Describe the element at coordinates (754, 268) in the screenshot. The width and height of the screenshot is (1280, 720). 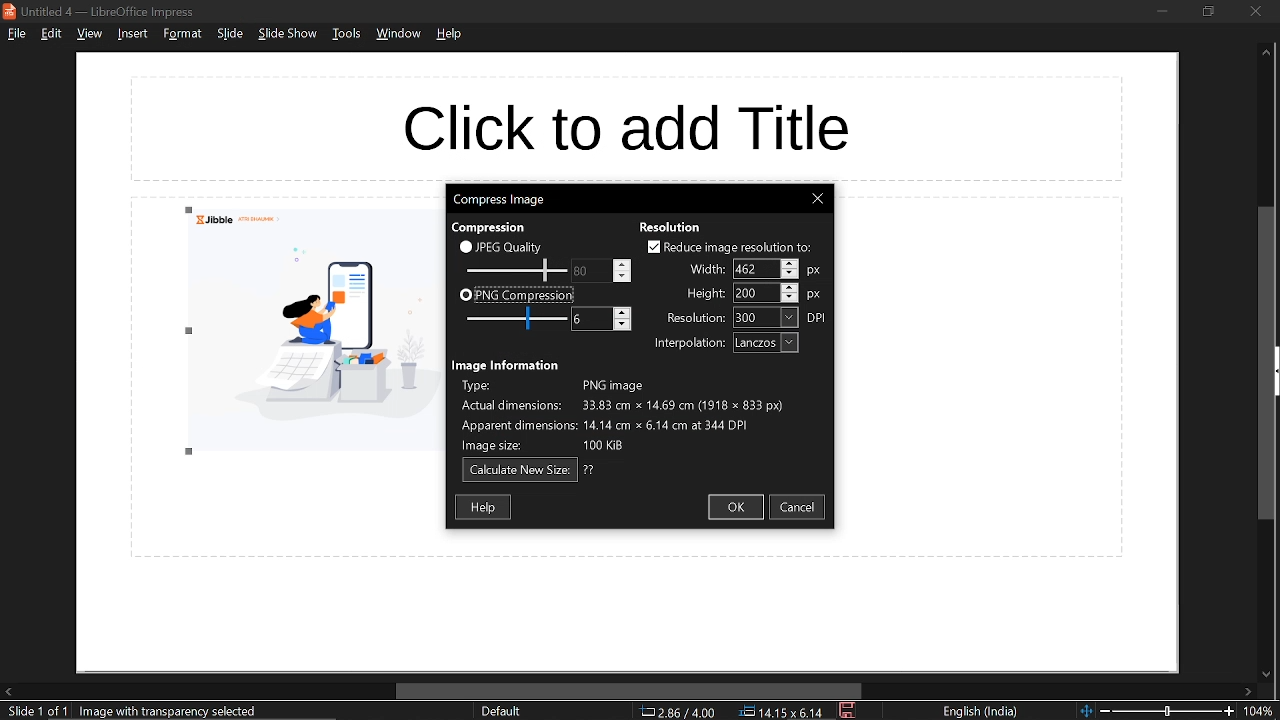
I see `width` at that location.